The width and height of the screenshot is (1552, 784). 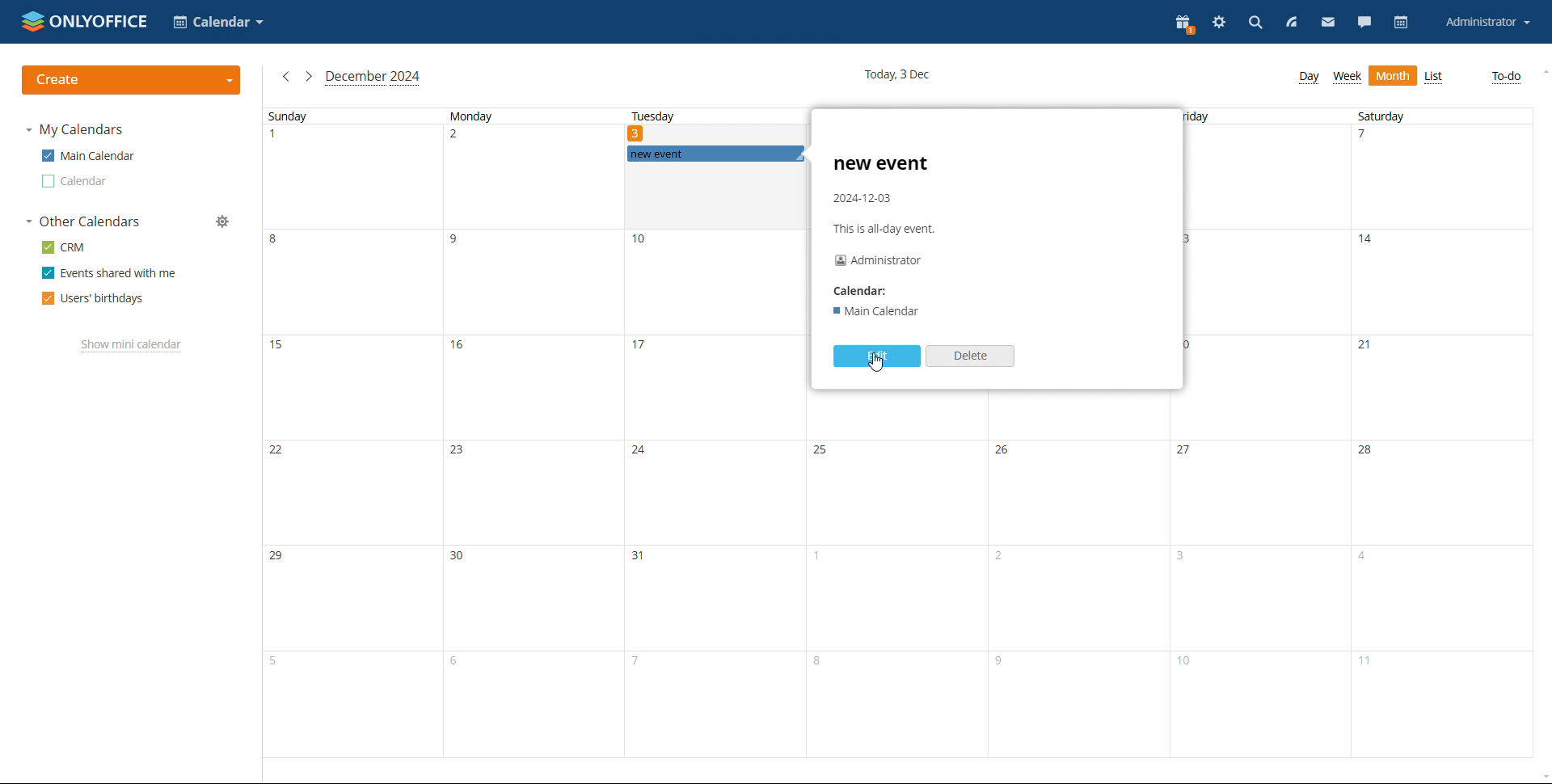 What do you see at coordinates (1347, 77) in the screenshot?
I see `week view` at bounding box center [1347, 77].